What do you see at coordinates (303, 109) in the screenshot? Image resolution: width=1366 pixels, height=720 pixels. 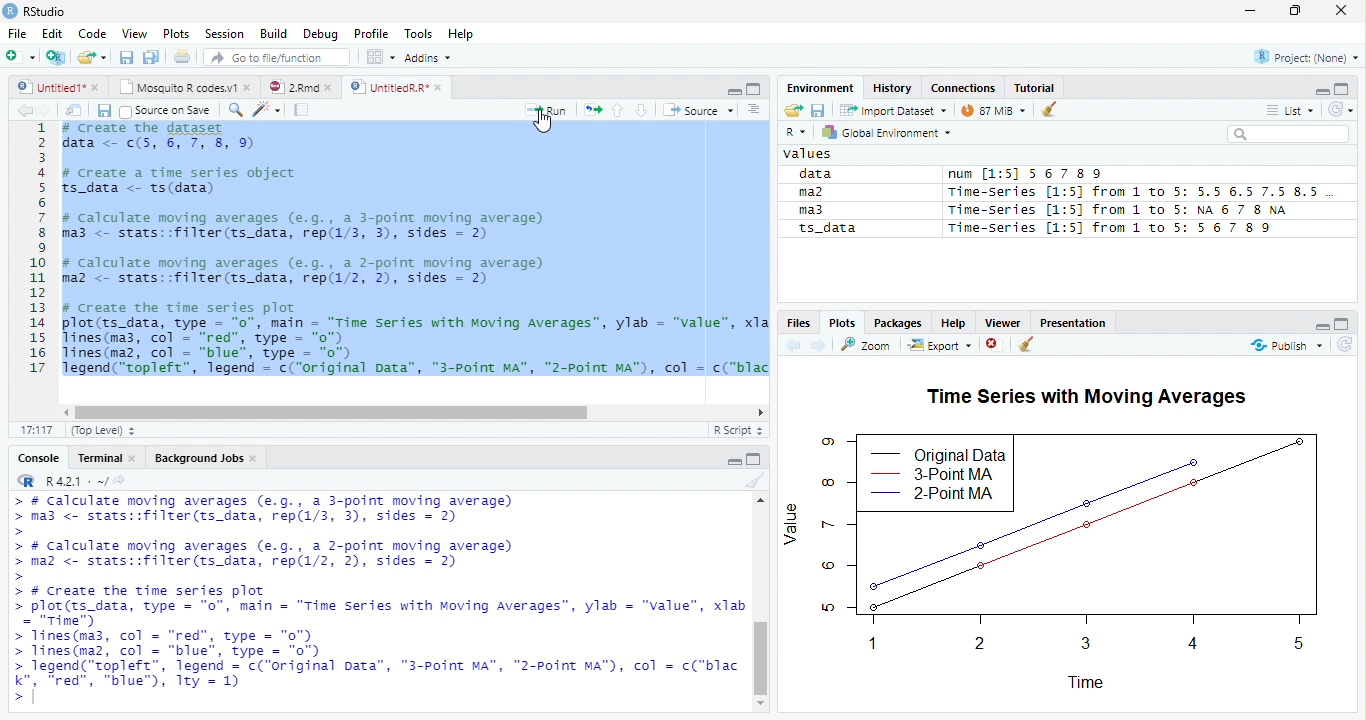 I see `compile report` at bounding box center [303, 109].